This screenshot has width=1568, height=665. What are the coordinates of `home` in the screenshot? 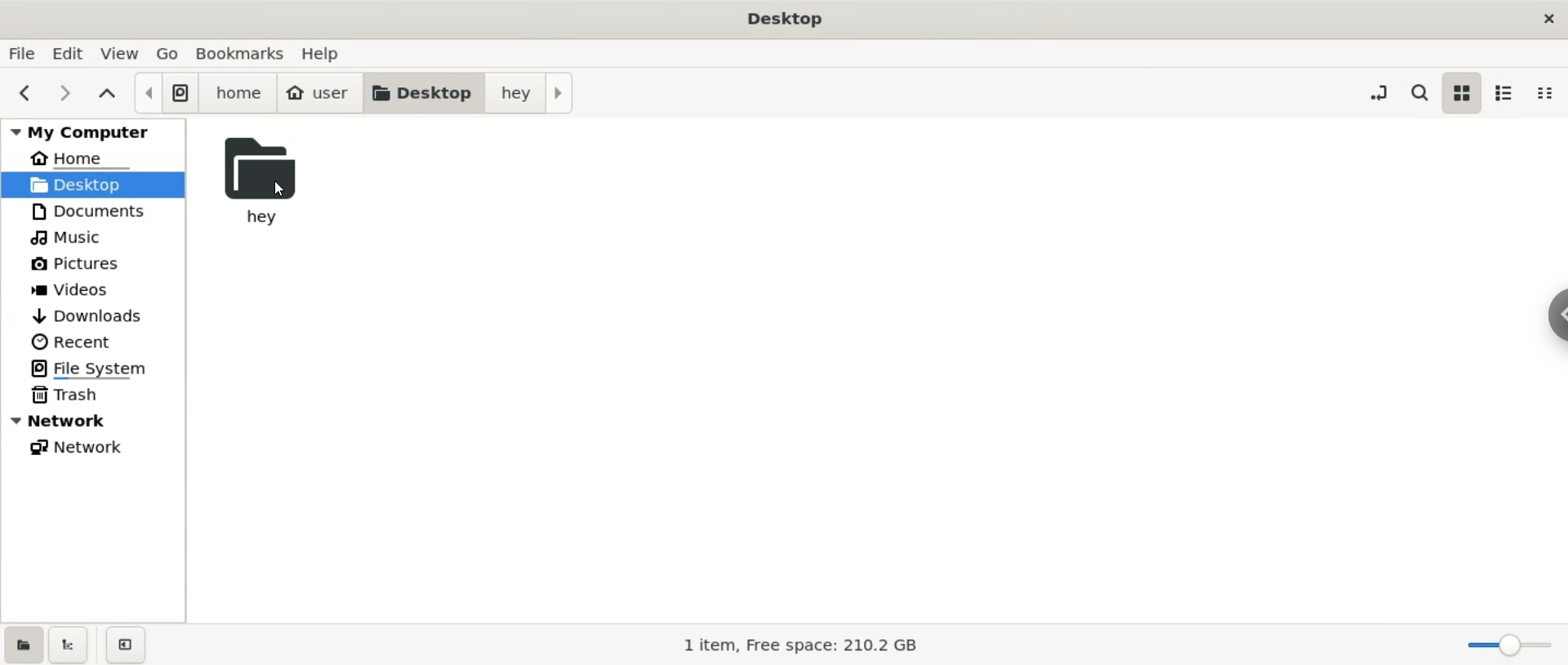 It's located at (238, 94).